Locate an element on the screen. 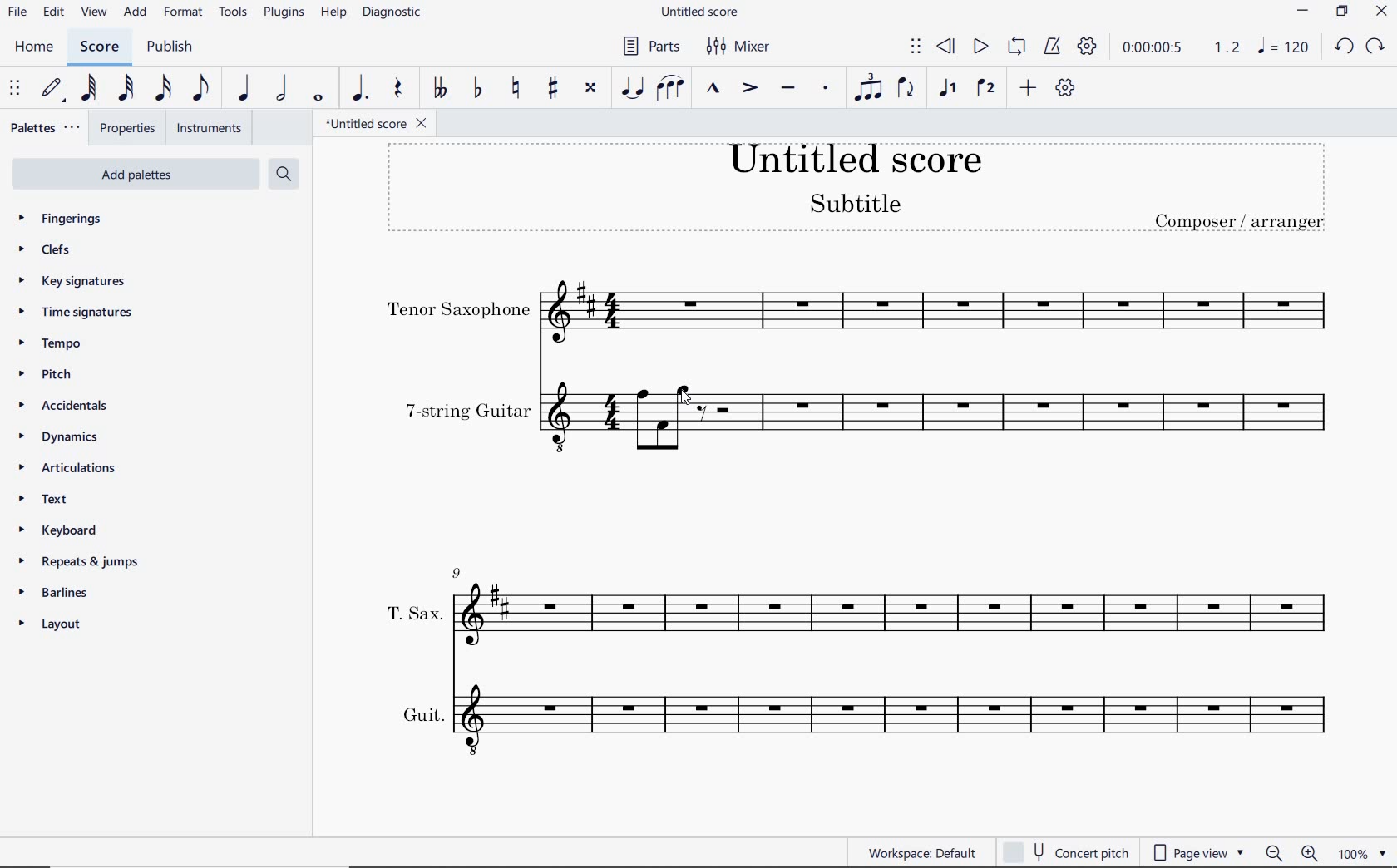 This screenshot has width=1397, height=868. TOGGLE-DOUBLE FLAT is located at coordinates (439, 87).